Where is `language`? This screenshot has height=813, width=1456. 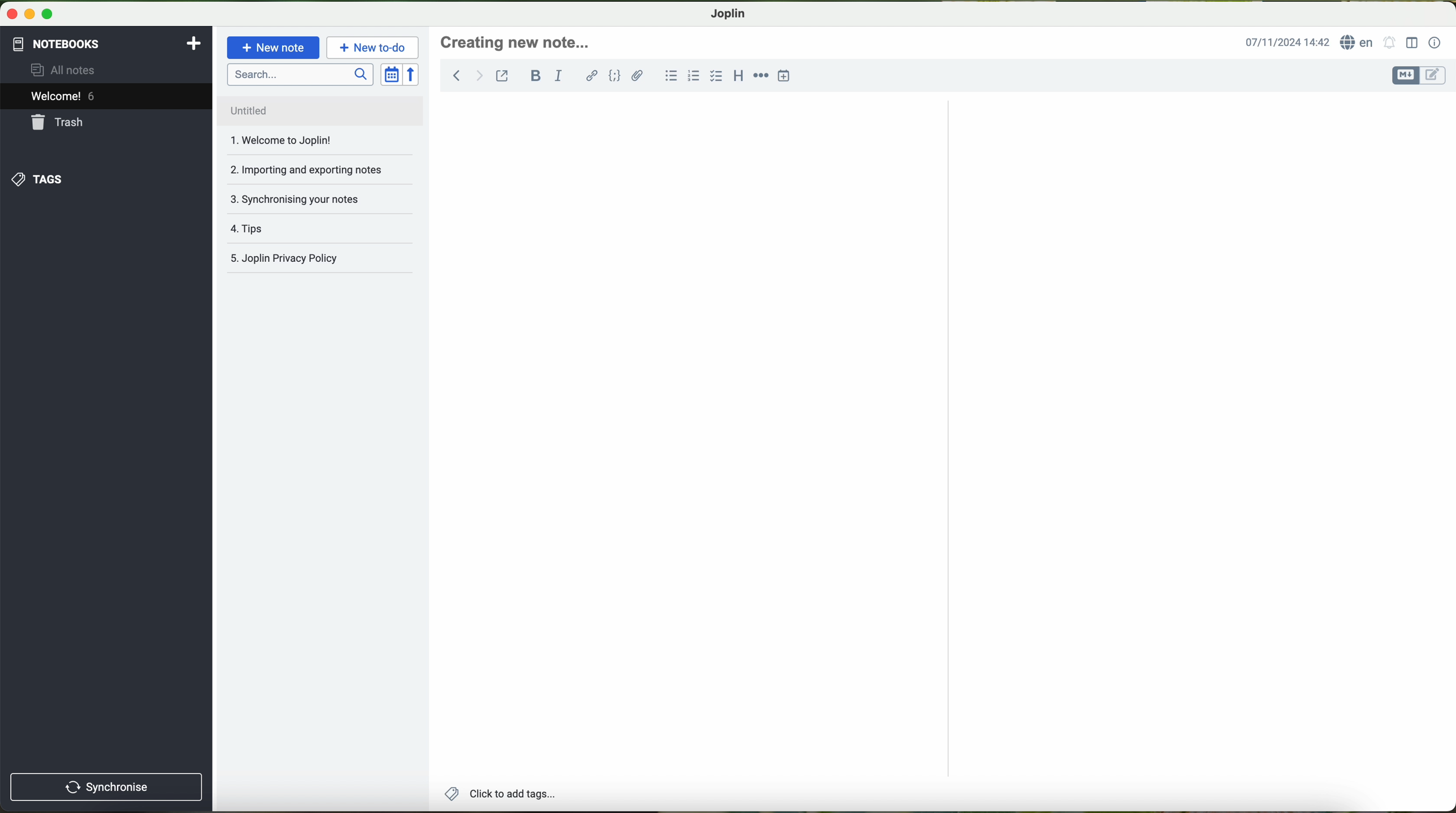 language is located at coordinates (1359, 42).